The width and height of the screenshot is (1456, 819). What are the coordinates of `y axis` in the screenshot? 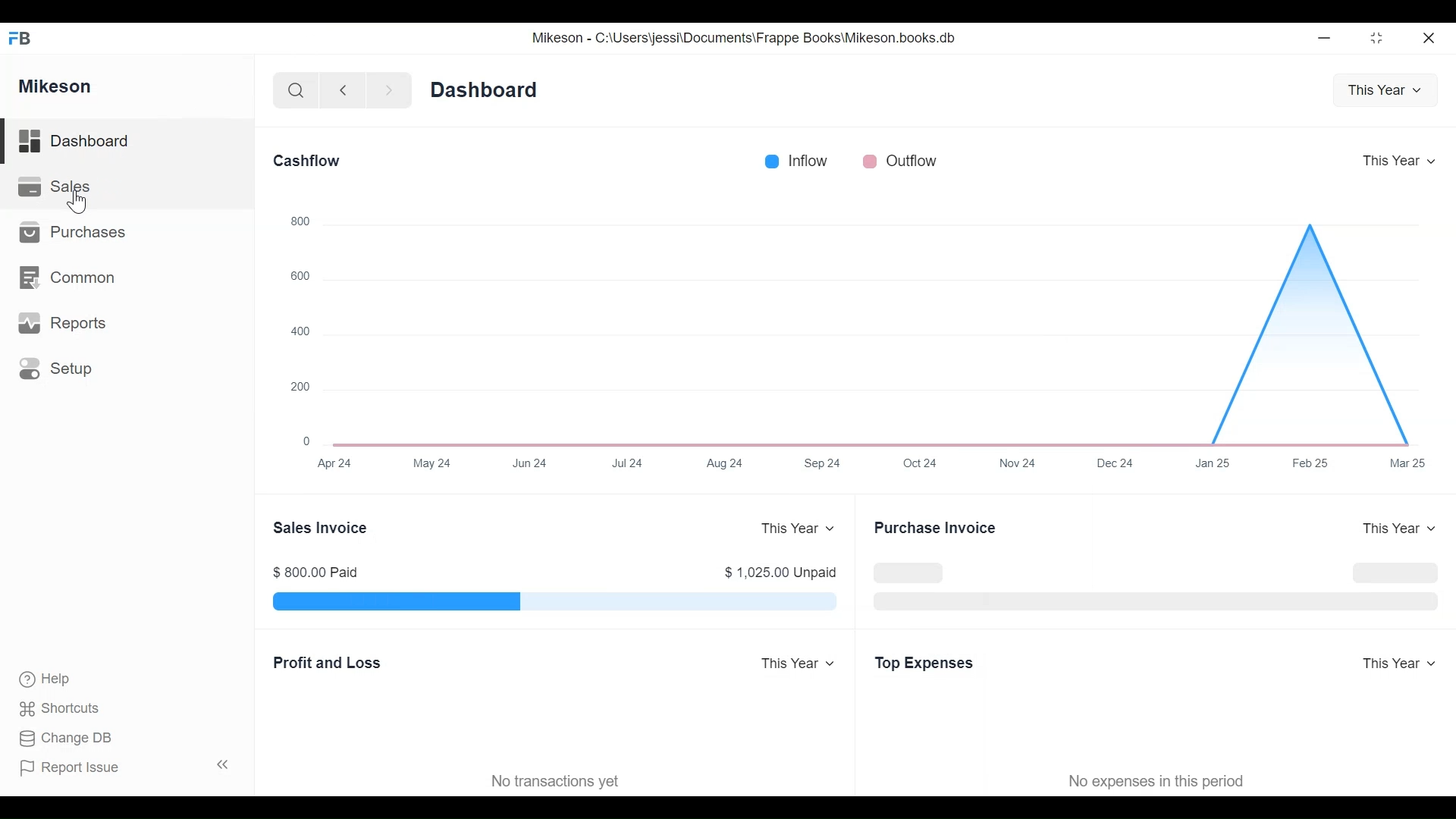 It's located at (866, 466).